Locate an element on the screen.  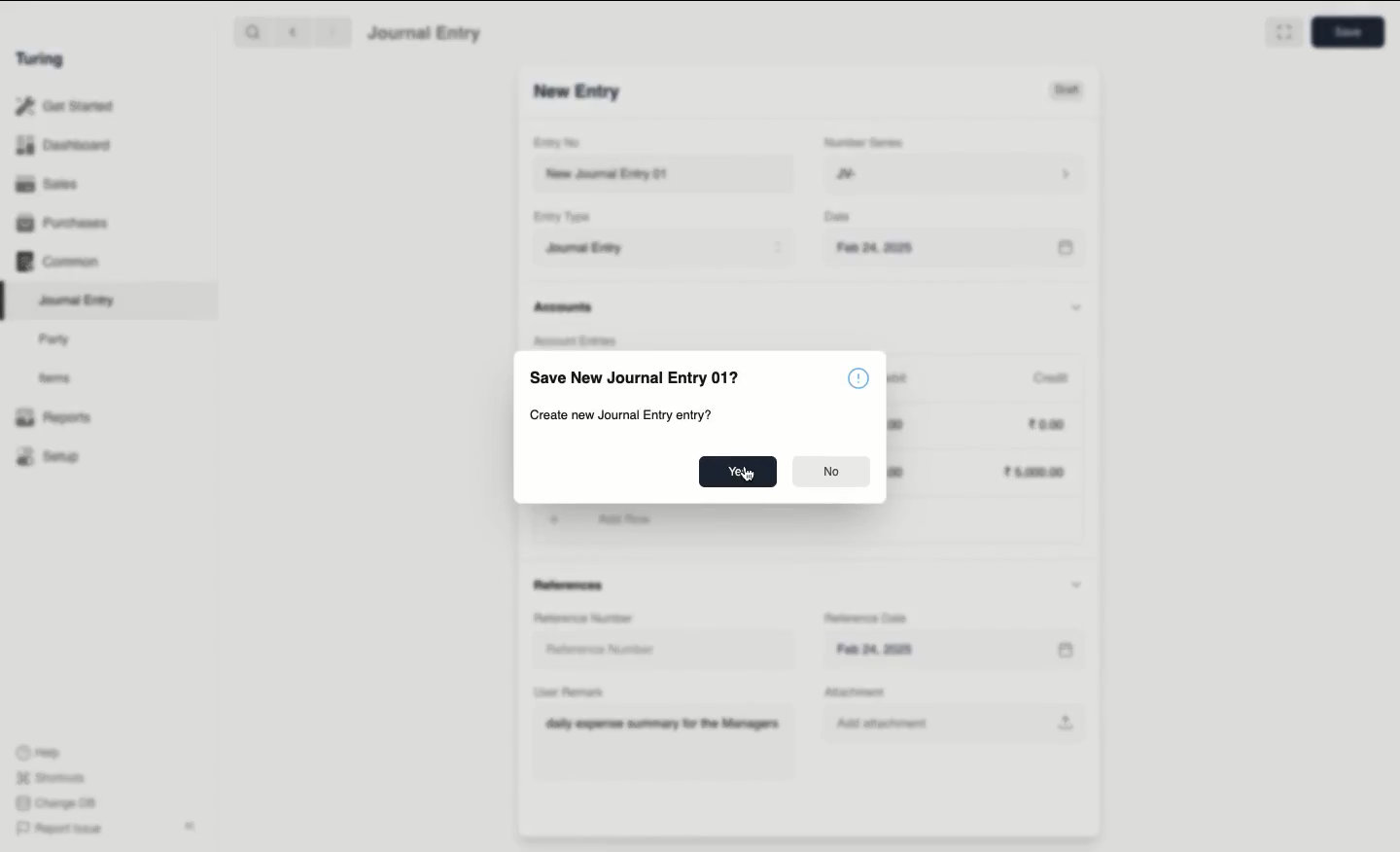
Journal Entry is located at coordinates (426, 34).